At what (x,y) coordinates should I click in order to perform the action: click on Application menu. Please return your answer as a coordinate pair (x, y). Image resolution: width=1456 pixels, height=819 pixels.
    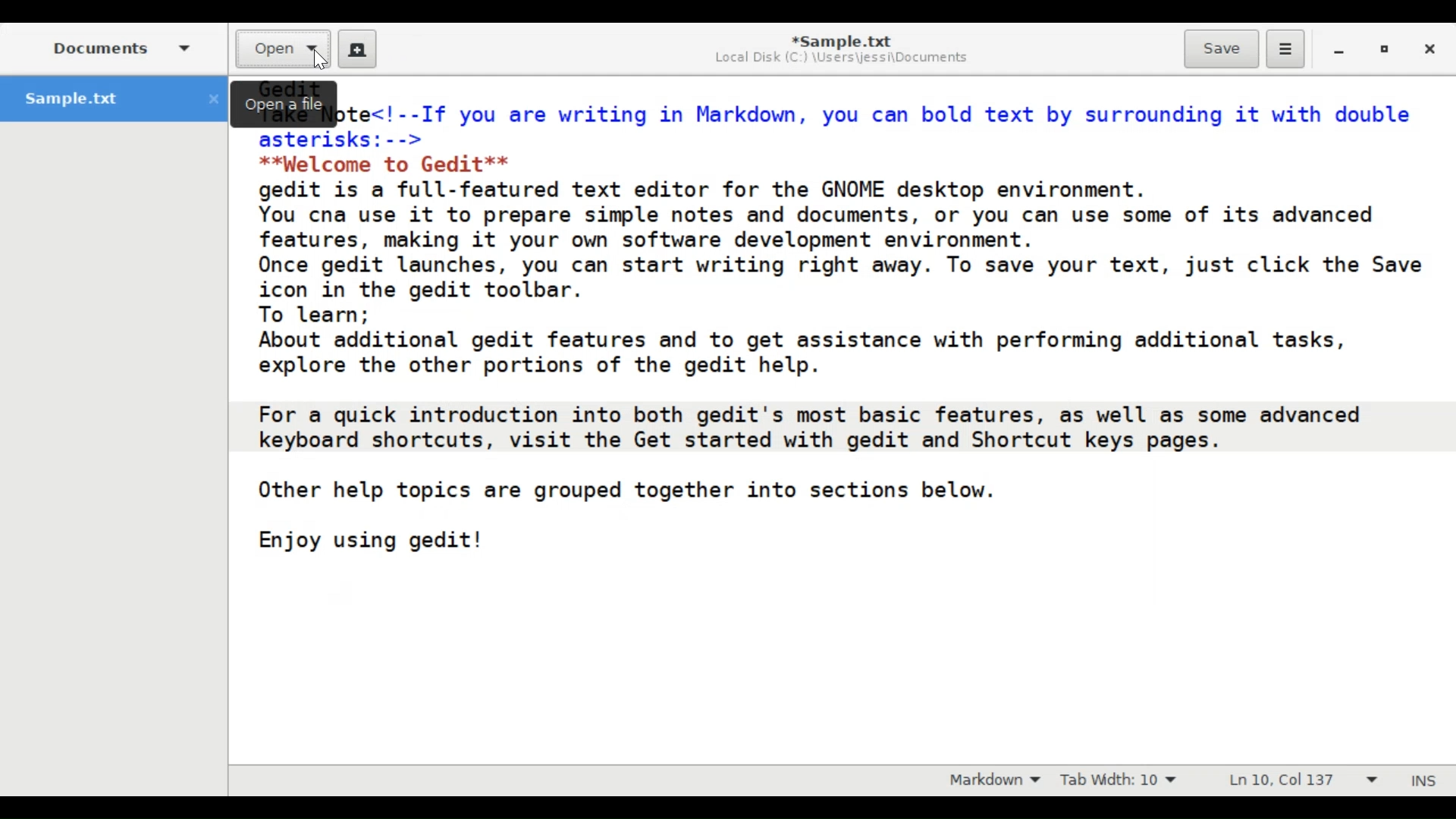
    Looking at the image, I should click on (1285, 49).